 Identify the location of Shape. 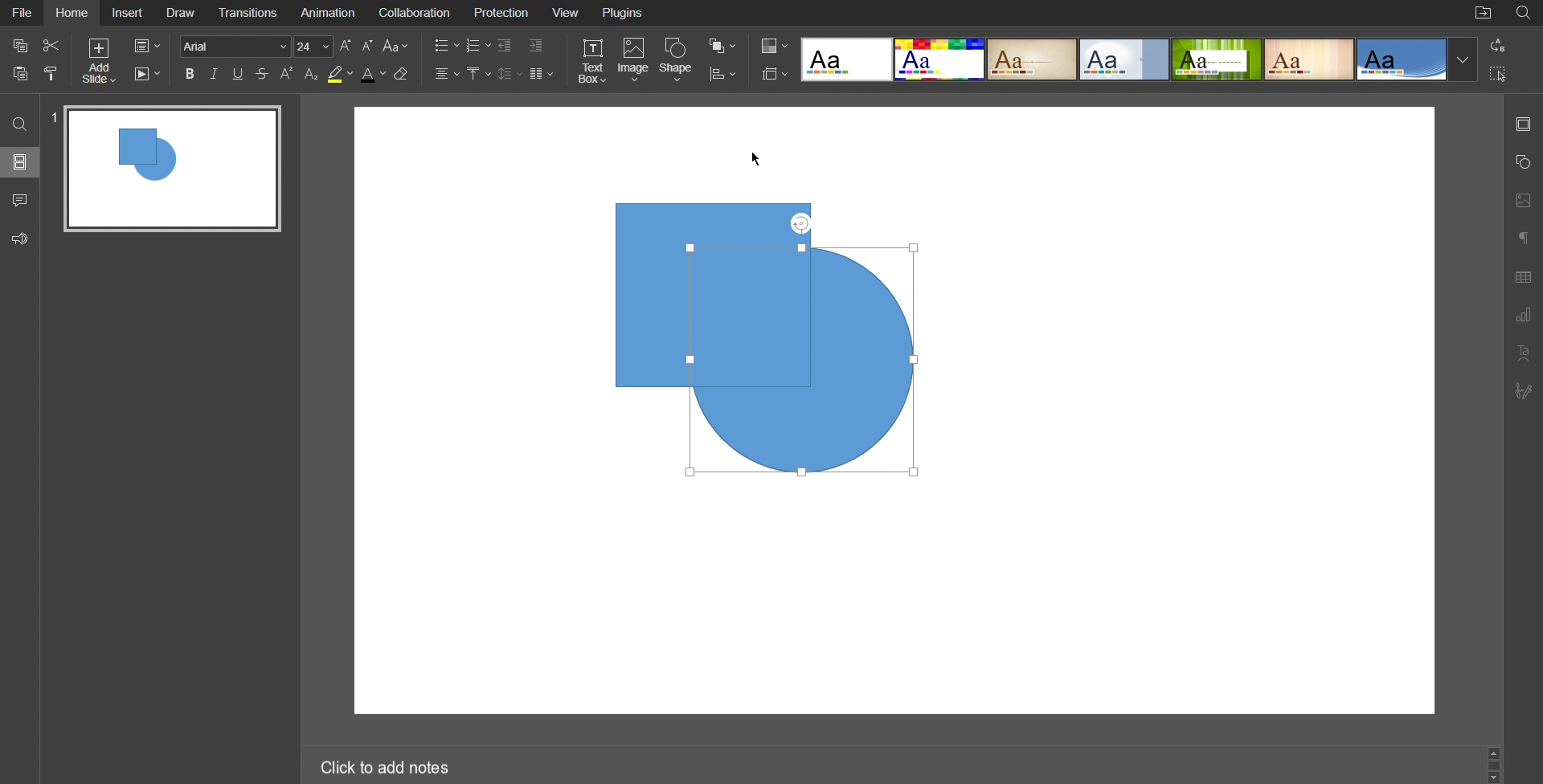
(679, 62).